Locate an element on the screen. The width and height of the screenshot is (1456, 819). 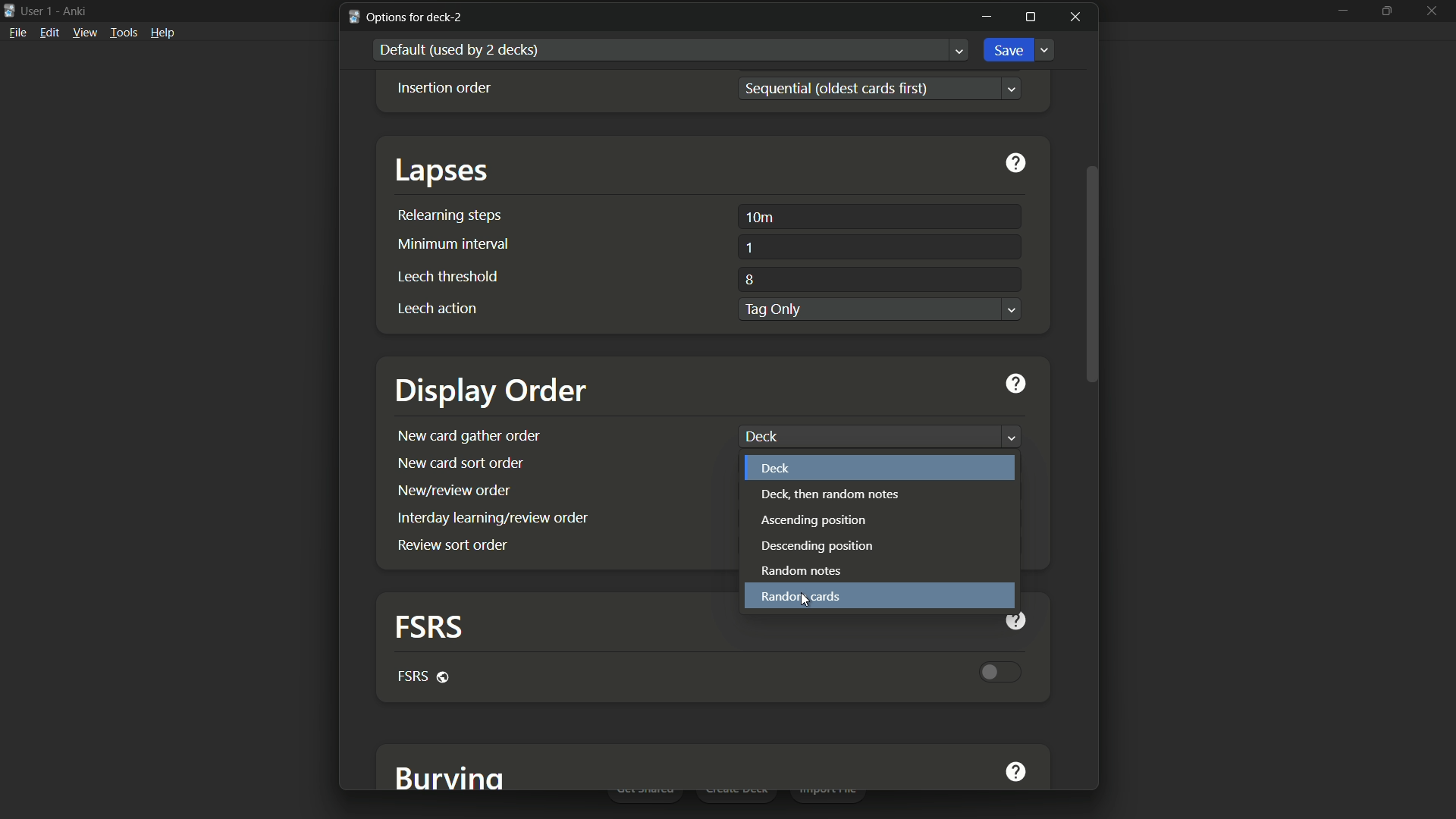
Dropdown is located at coordinates (1012, 309).